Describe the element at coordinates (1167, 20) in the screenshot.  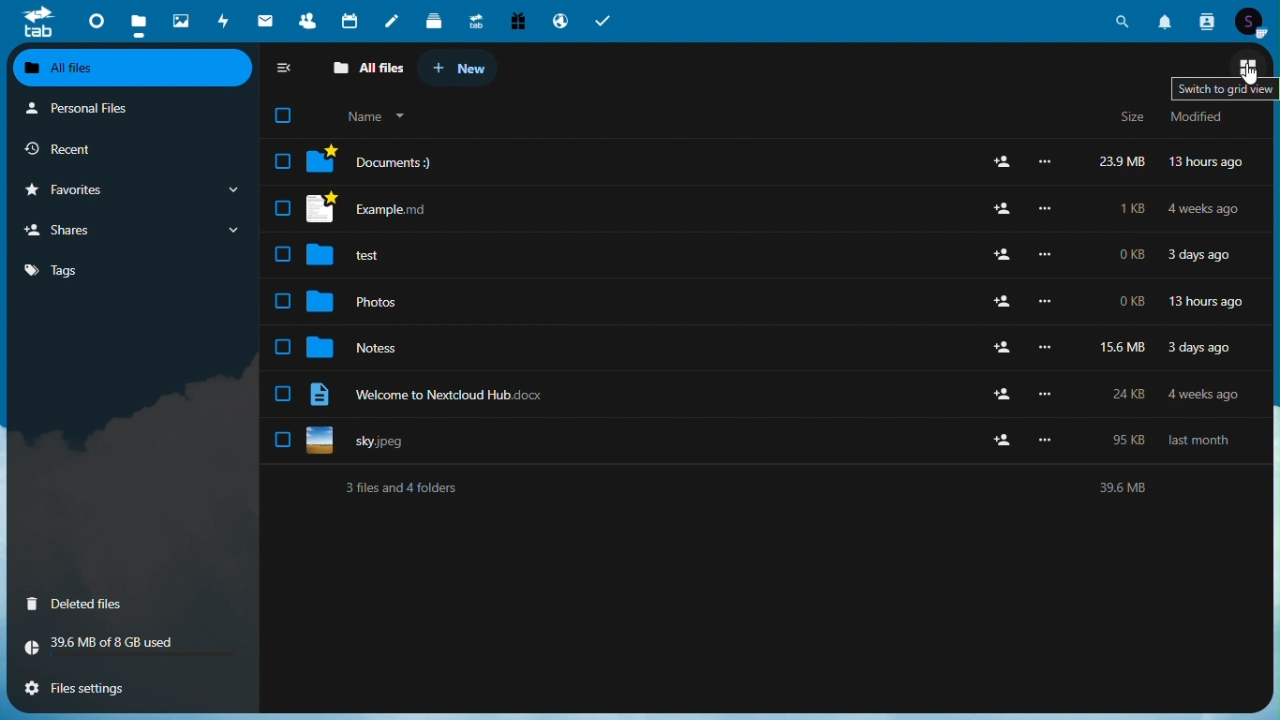
I see `Notifications` at that location.